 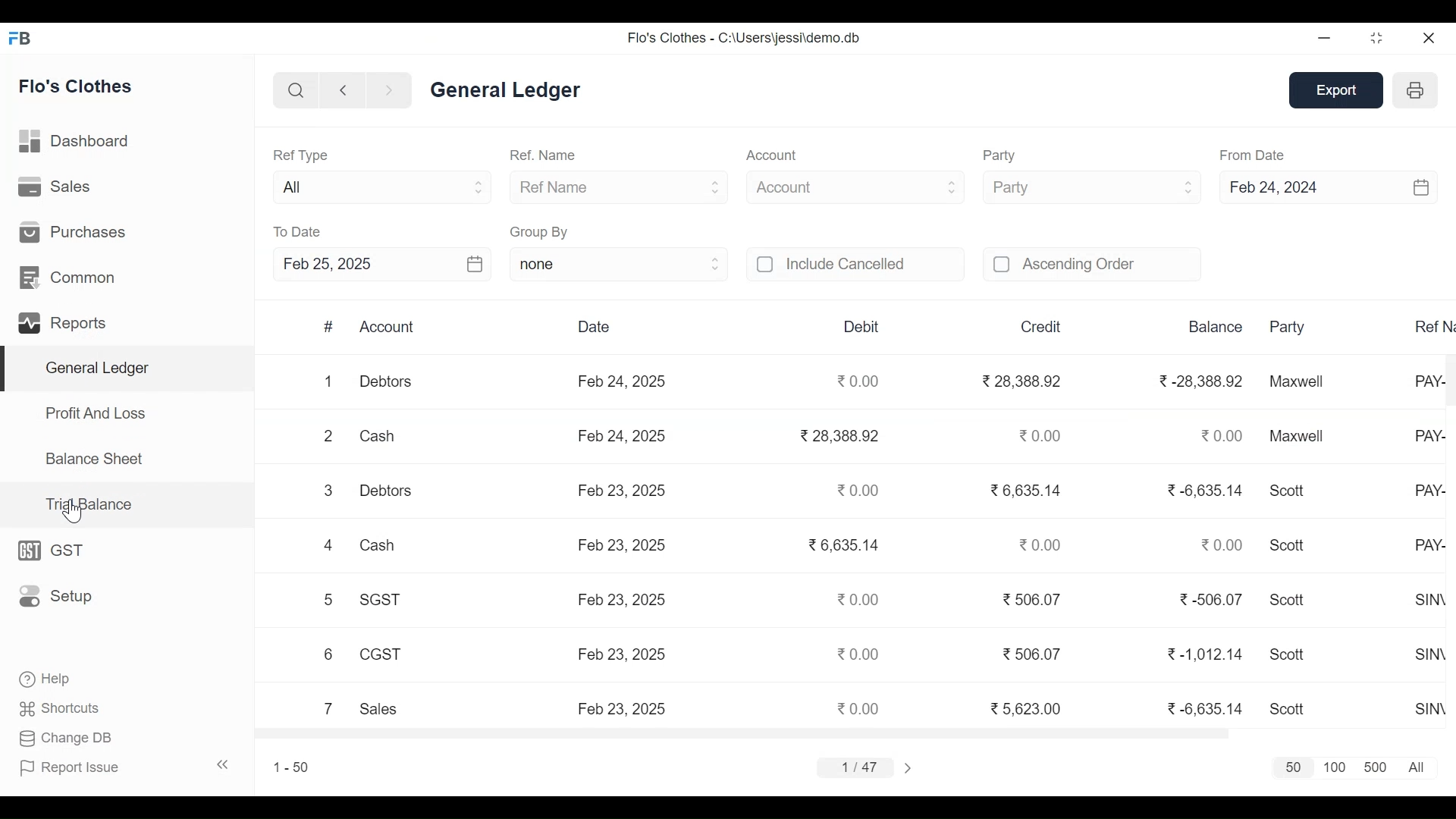 What do you see at coordinates (862, 653) in the screenshot?
I see `0.00` at bounding box center [862, 653].